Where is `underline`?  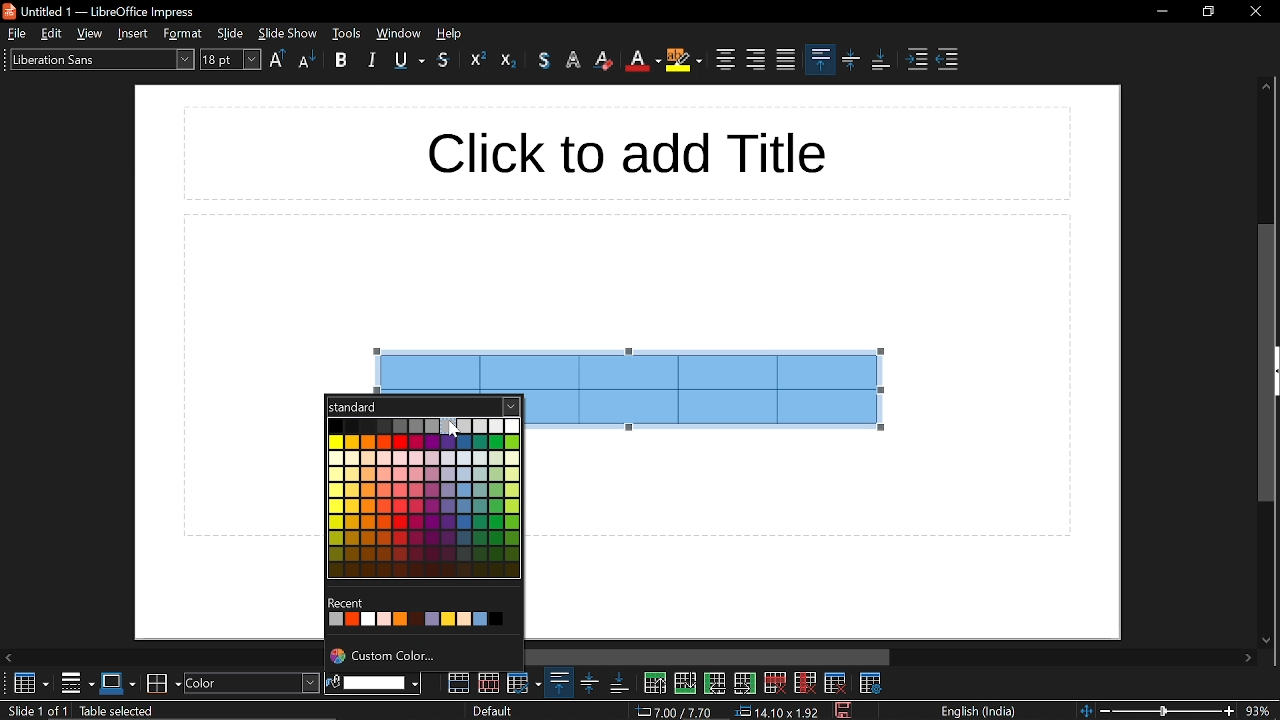 underline is located at coordinates (409, 61).